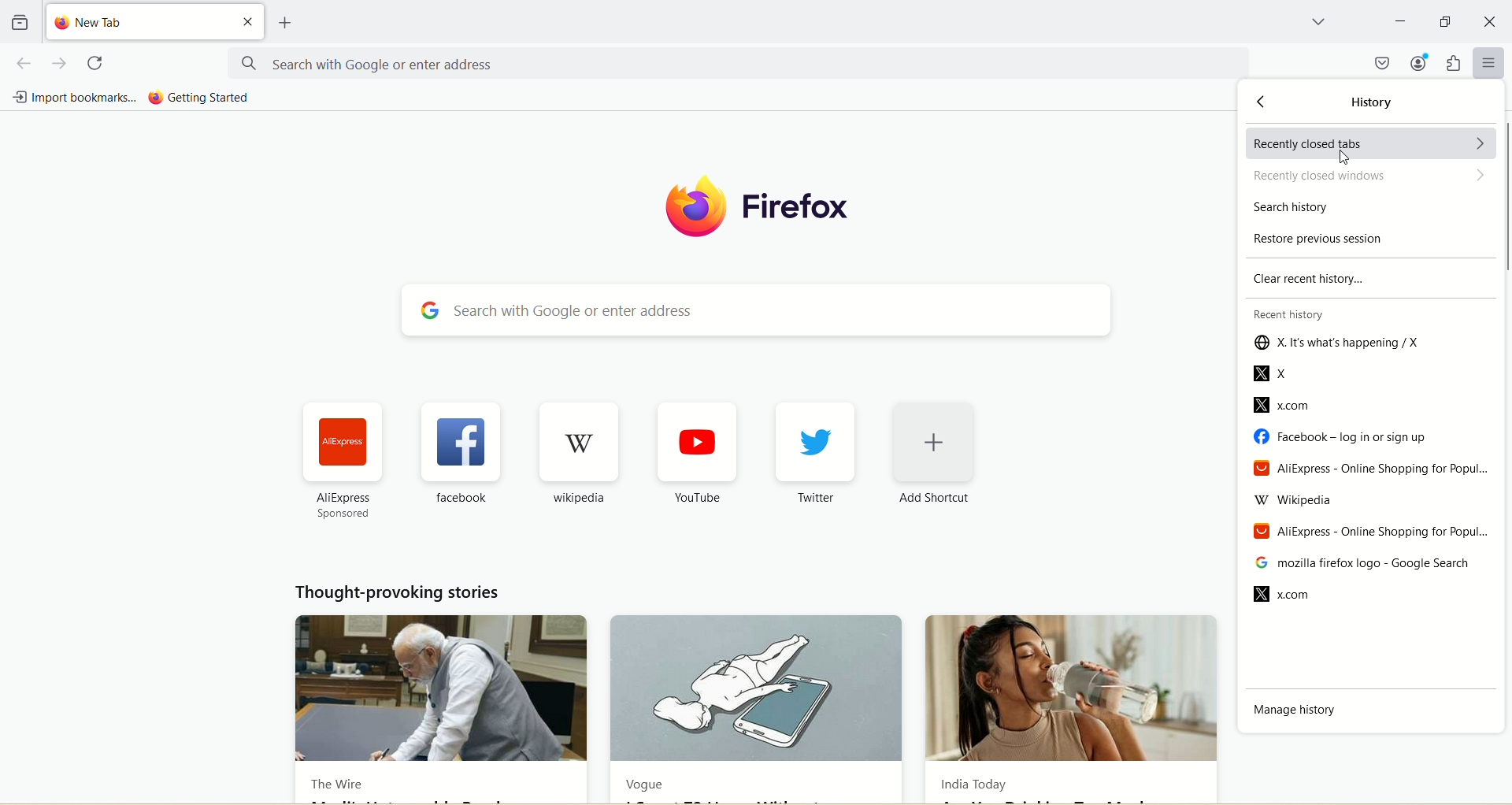 The height and width of the screenshot is (805, 1512). I want to click on Add Shortcut, so click(934, 500).